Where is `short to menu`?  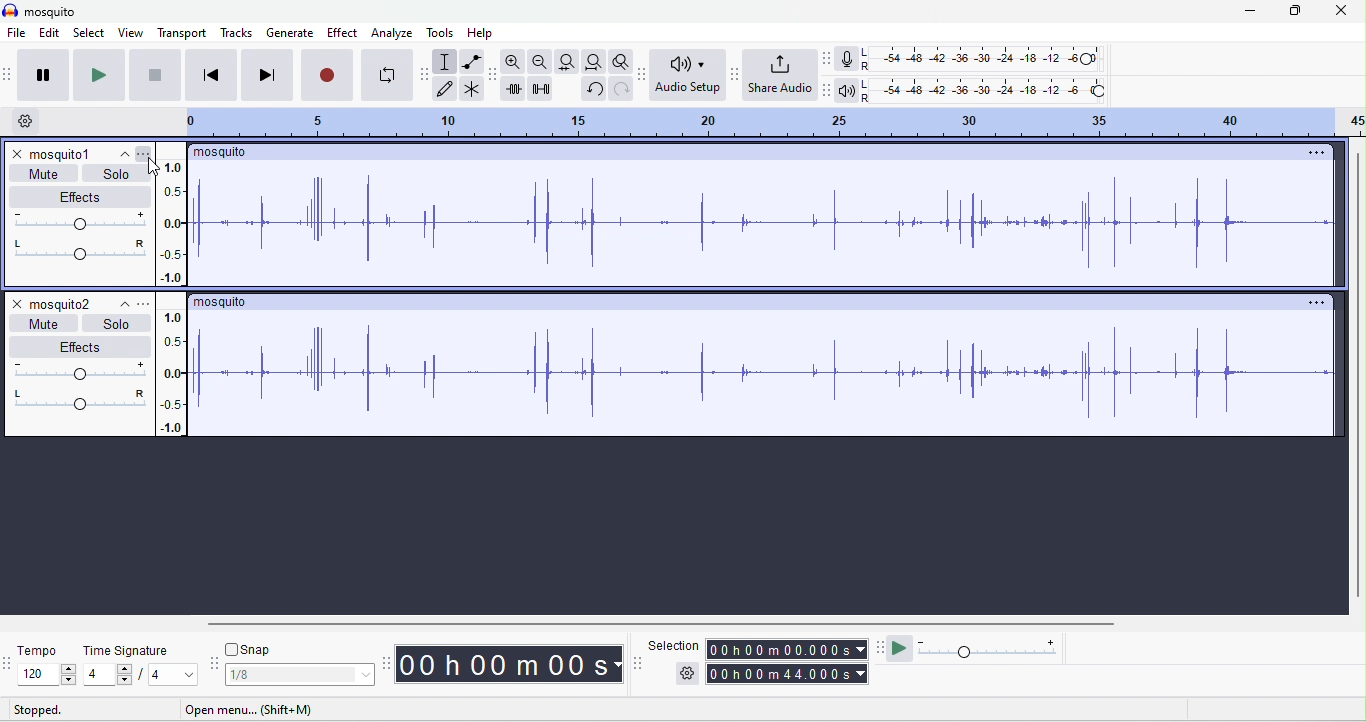
short to menu is located at coordinates (250, 711).